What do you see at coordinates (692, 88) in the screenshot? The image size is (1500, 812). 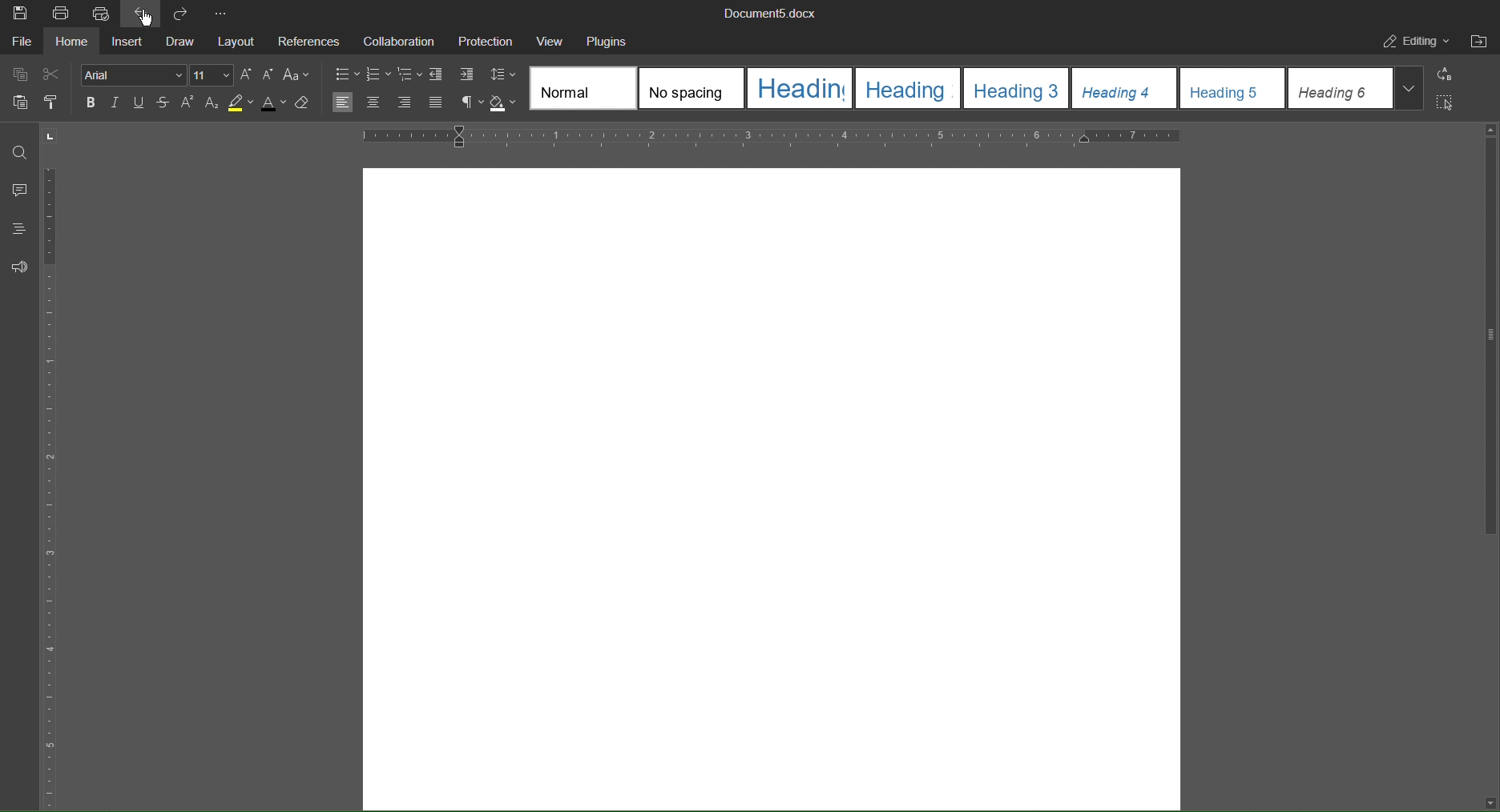 I see `template` at bounding box center [692, 88].